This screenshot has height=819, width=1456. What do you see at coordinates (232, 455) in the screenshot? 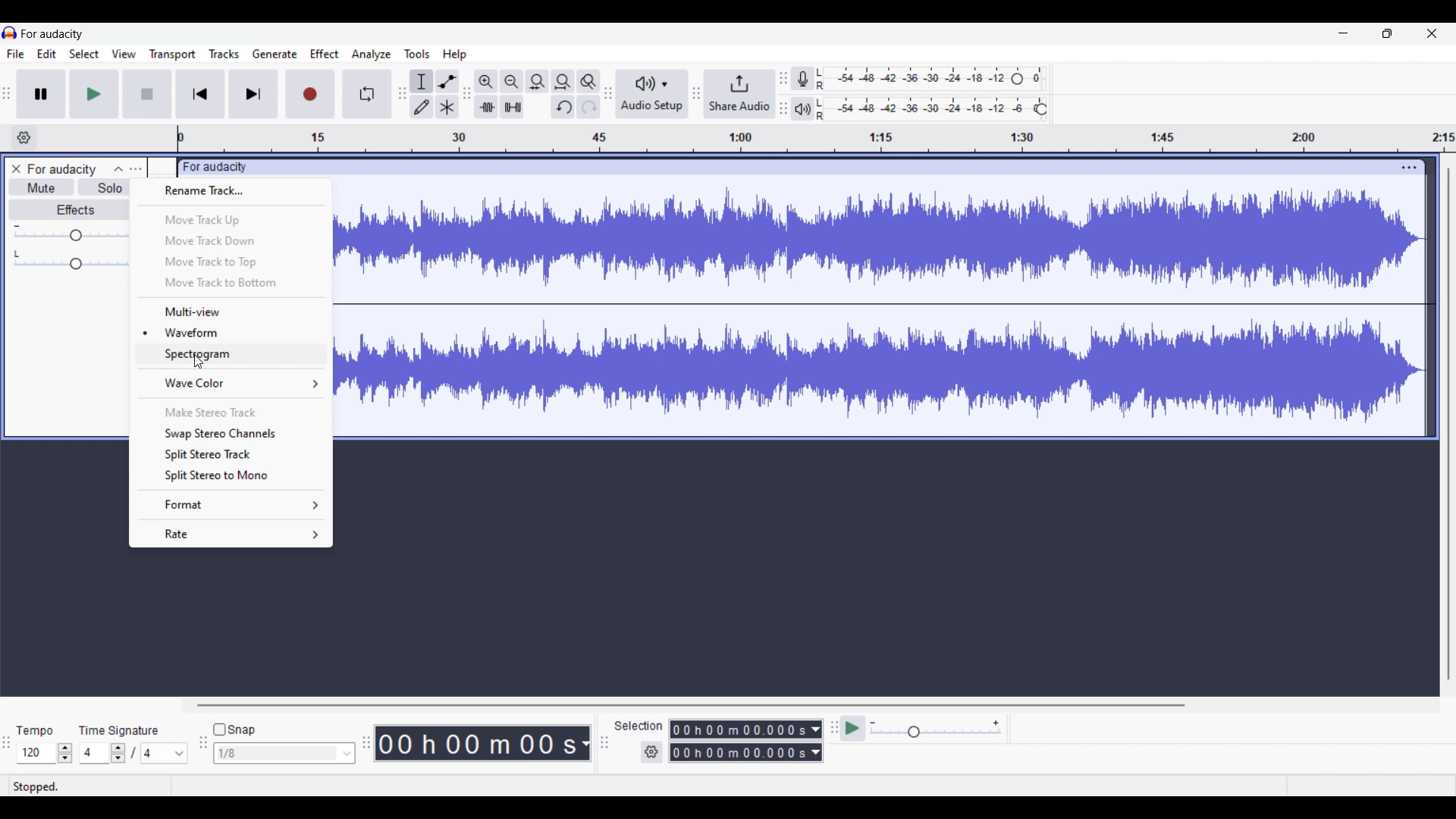
I see `Split stereo track` at bounding box center [232, 455].